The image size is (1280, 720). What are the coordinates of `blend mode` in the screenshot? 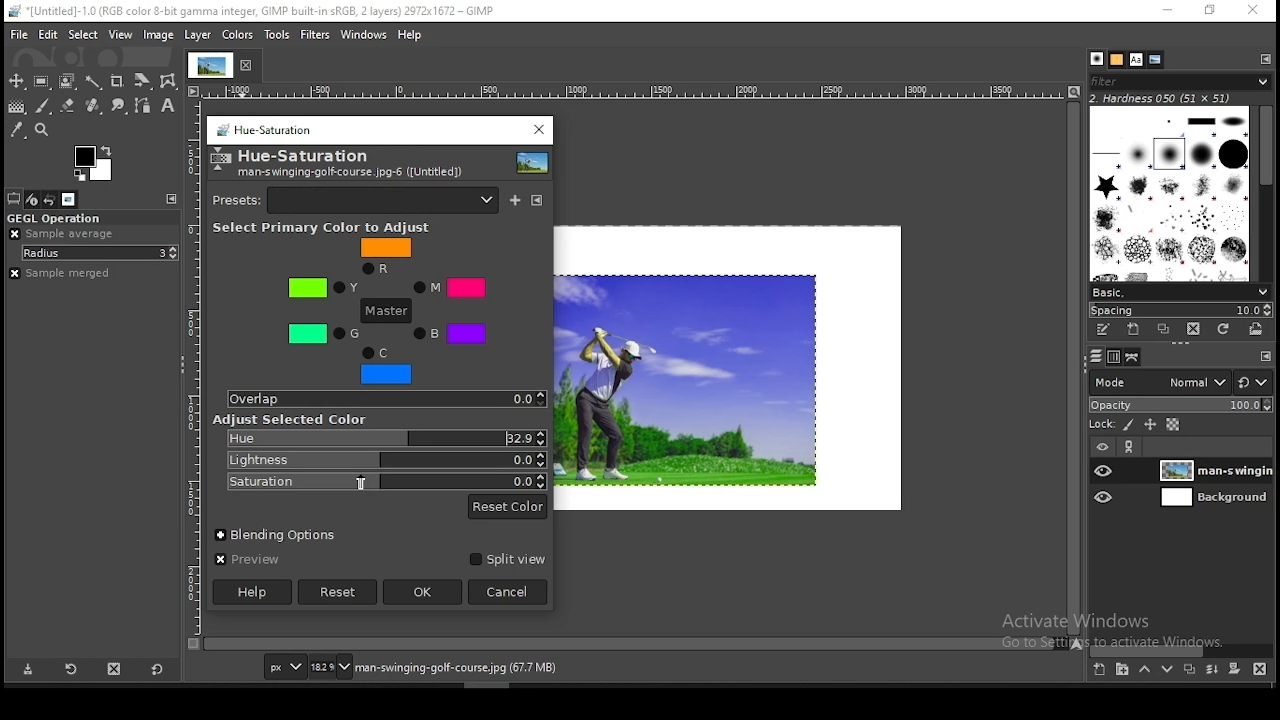 It's located at (1181, 382).